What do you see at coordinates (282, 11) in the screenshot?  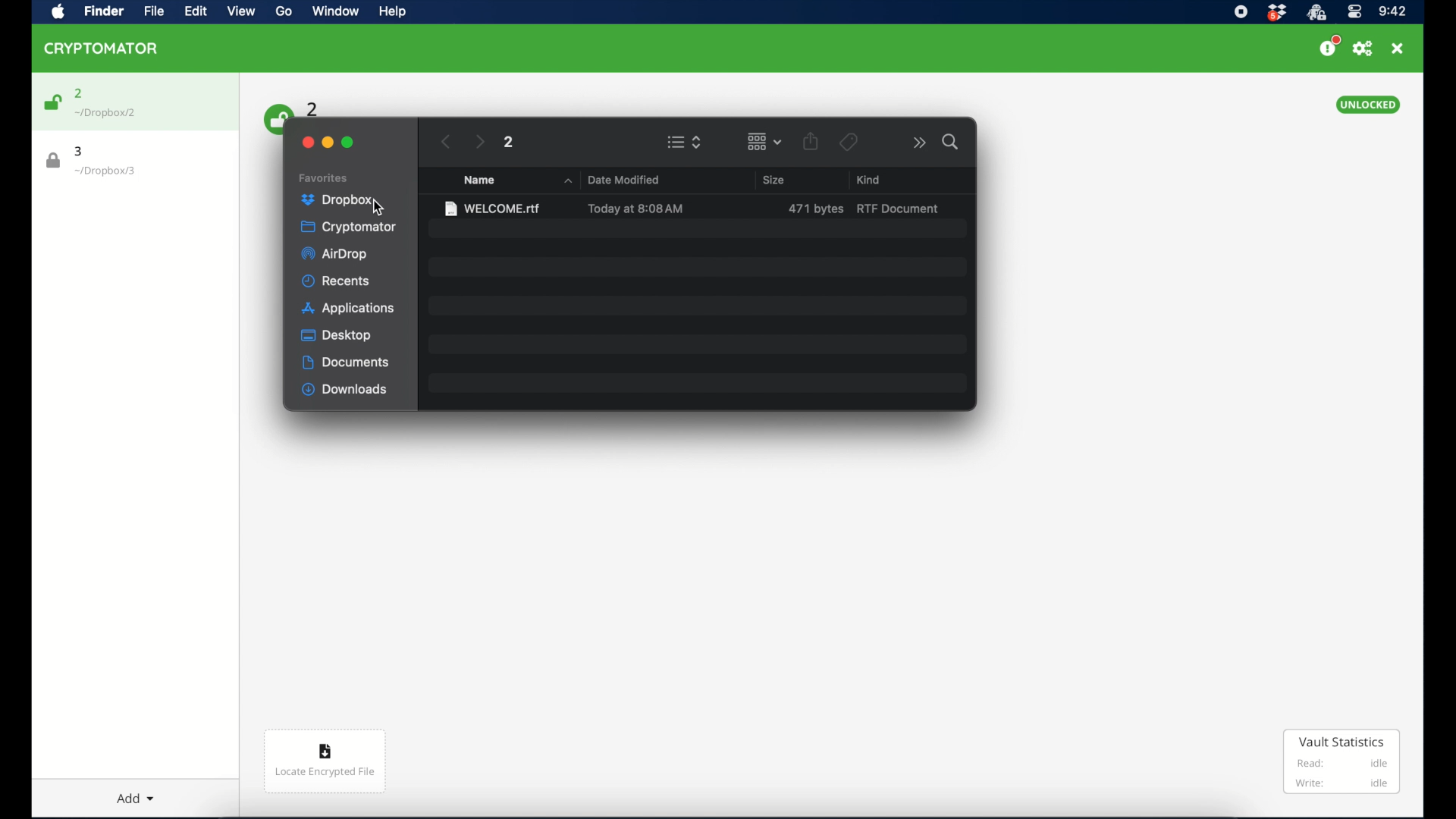 I see `go` at bounding box center [282, 11].